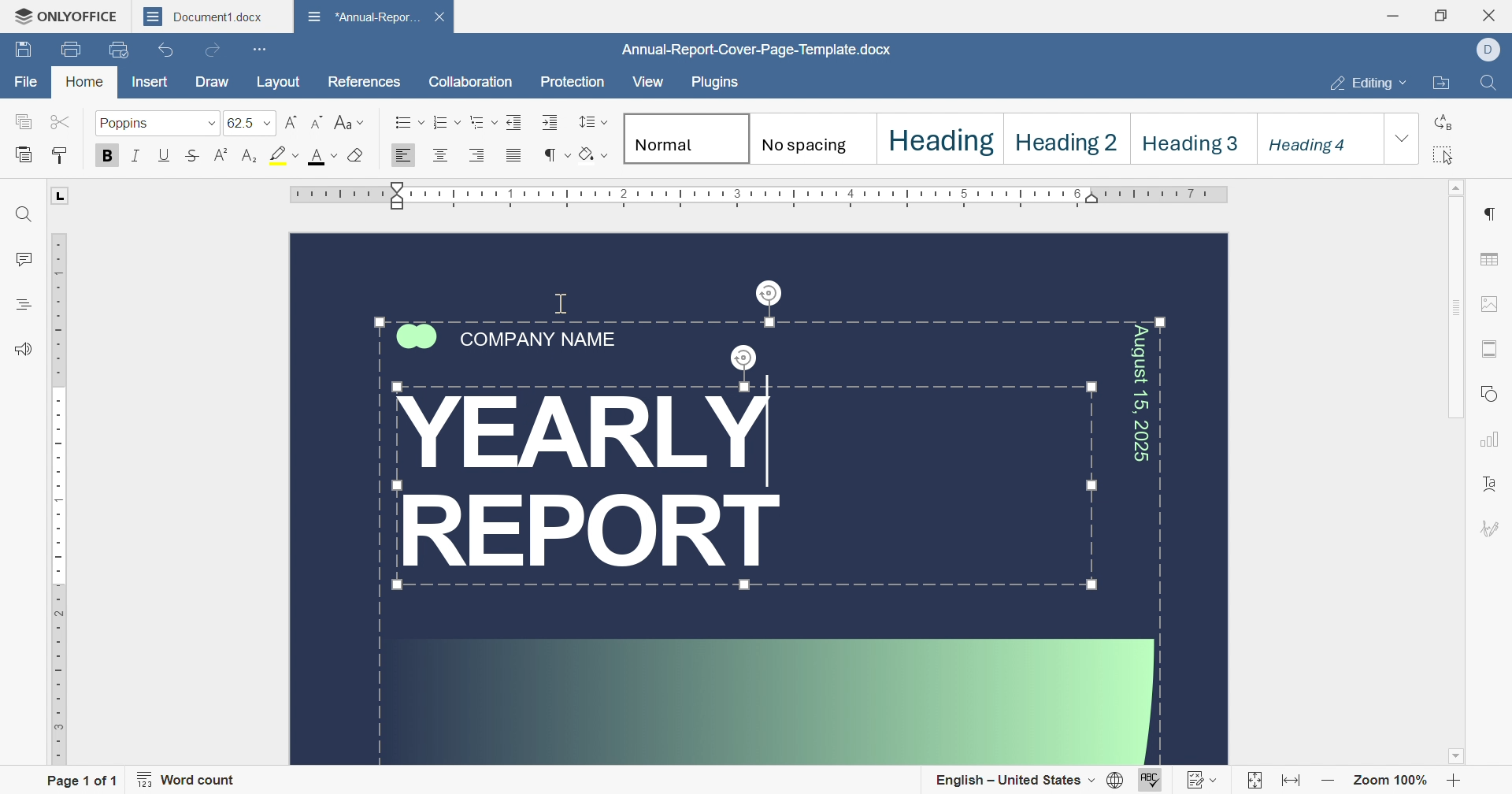 The width and height of the screenshot is (1512, 794). I want to click on copy style, so click(61, 157).